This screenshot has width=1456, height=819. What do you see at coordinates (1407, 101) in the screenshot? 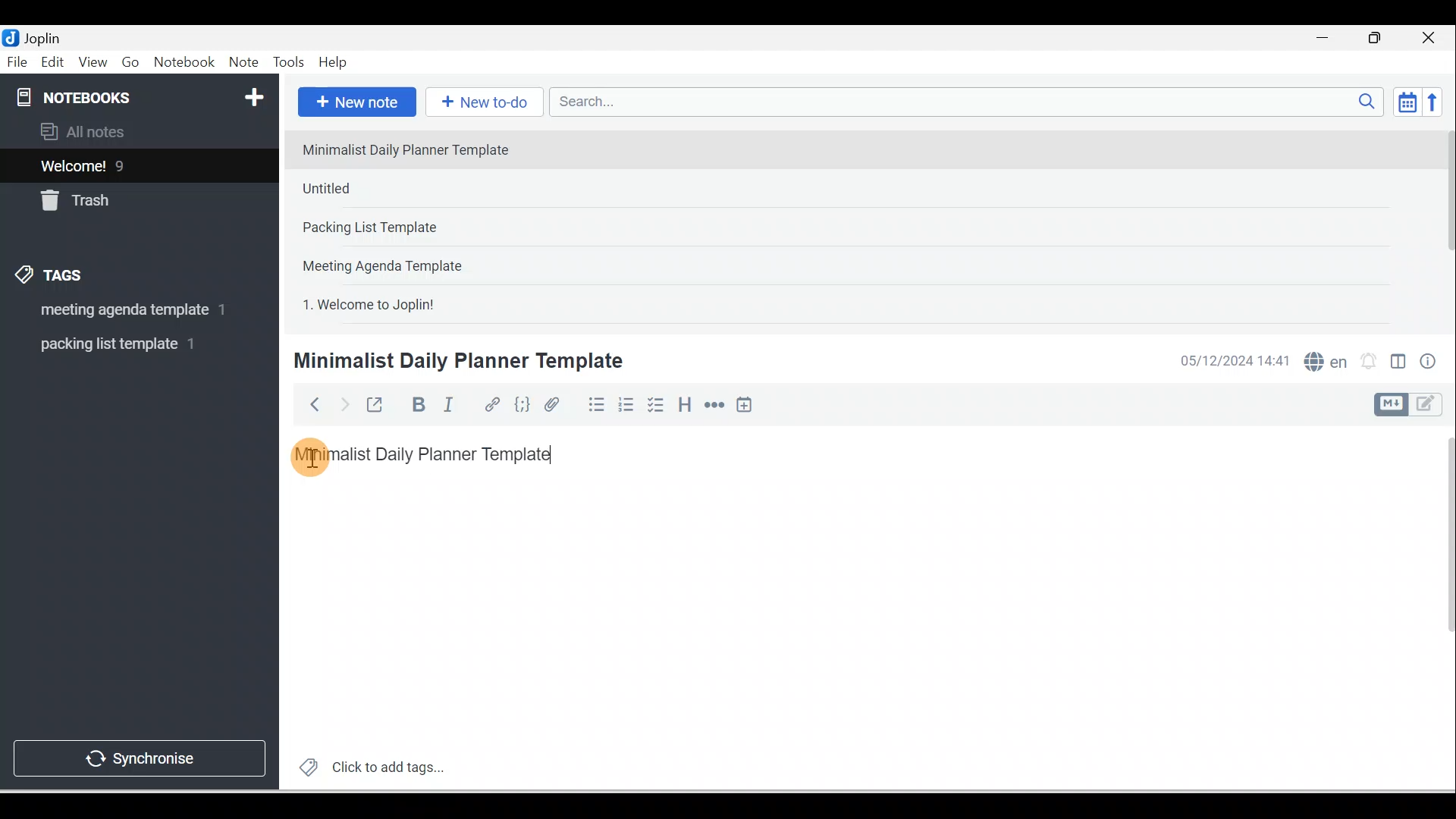
I see `Toggle sort order` at bounding box center [1407, 101].